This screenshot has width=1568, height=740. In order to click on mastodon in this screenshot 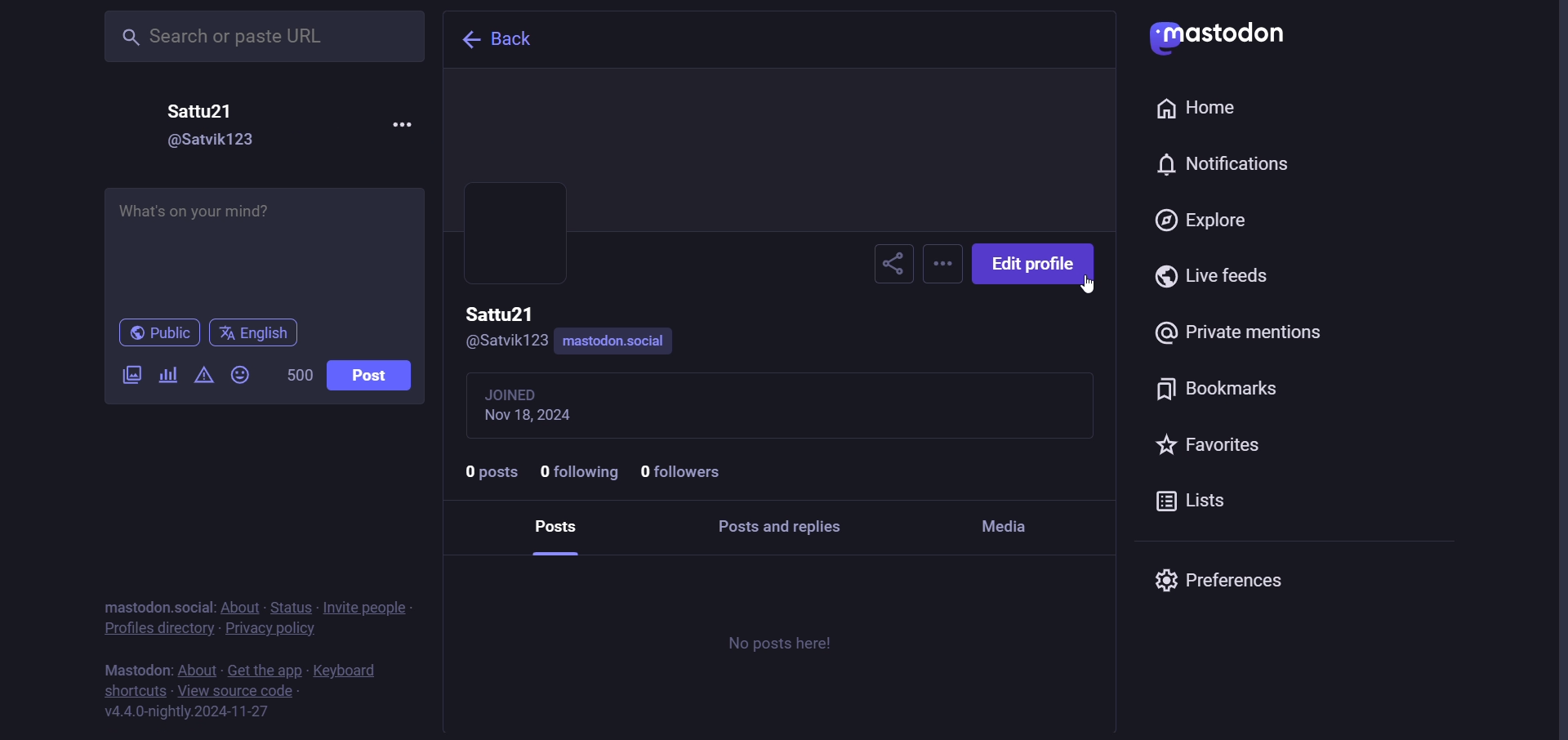, I will do `click(136, 669)`.